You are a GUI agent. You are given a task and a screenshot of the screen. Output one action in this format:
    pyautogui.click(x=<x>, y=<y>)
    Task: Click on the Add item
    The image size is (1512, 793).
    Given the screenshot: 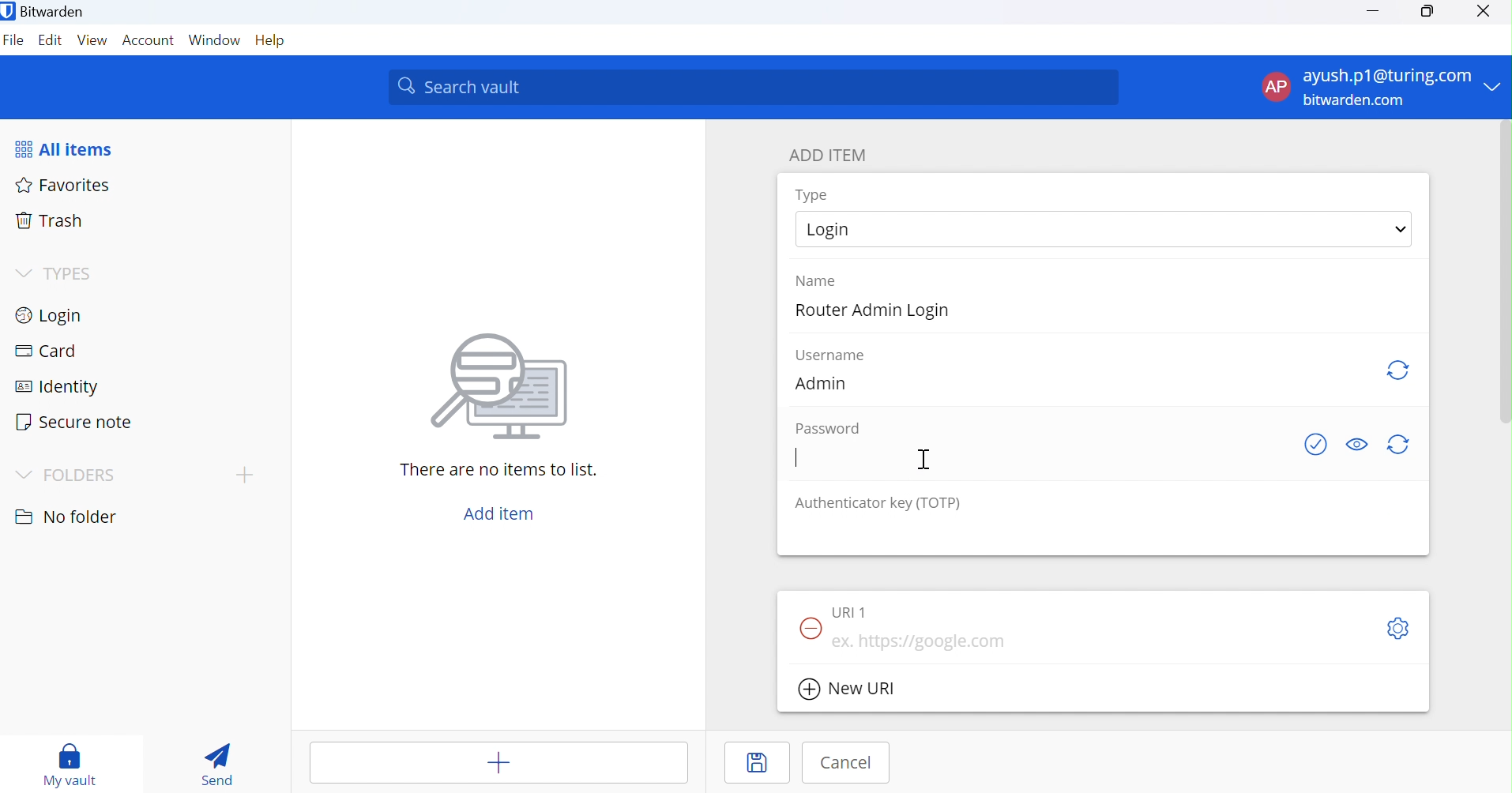 What is the action you would take?
    pyautogui.click(x=498, y=513)
    